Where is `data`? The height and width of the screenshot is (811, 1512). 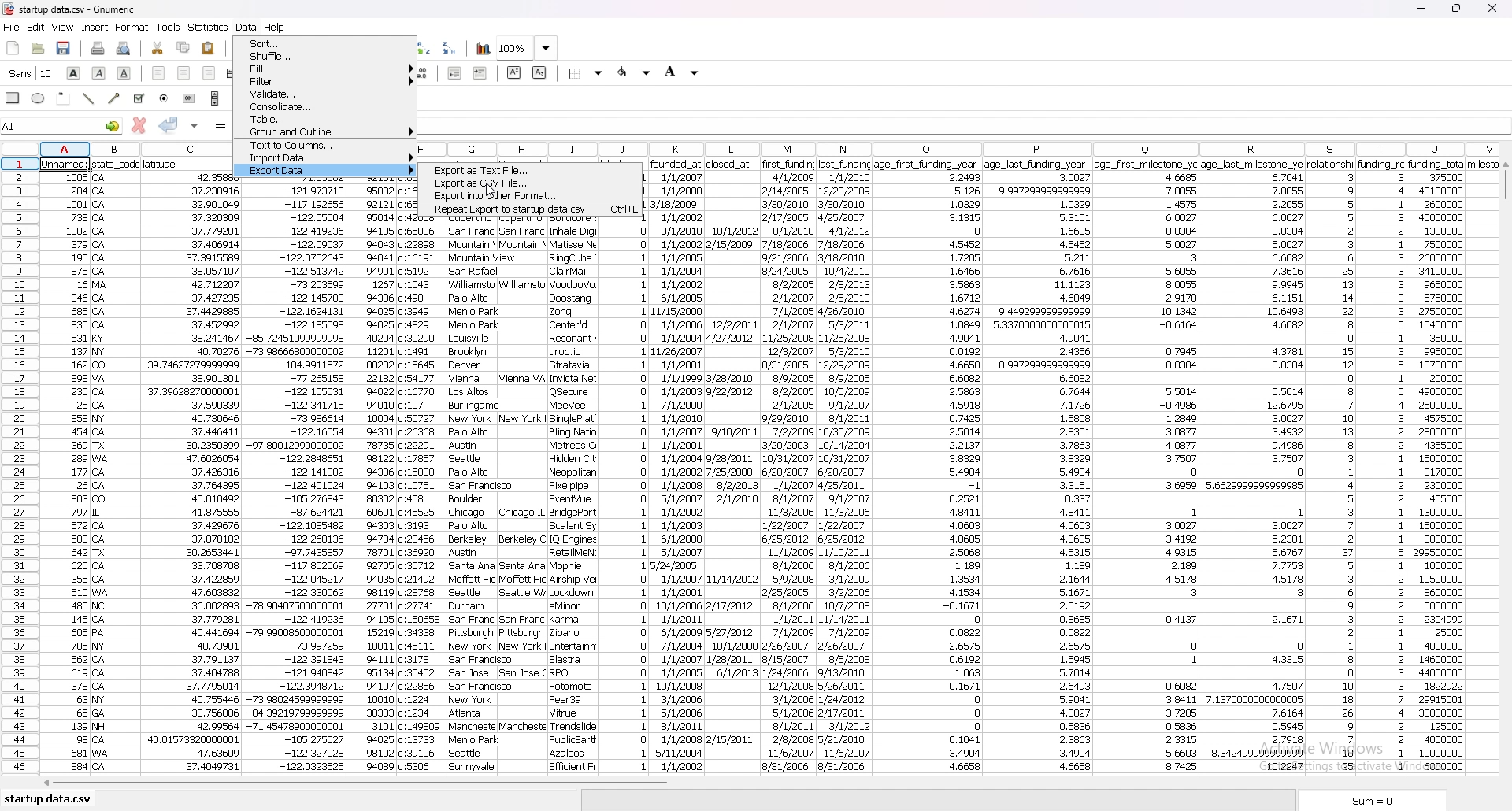 data is located at coordinates (191, 466).